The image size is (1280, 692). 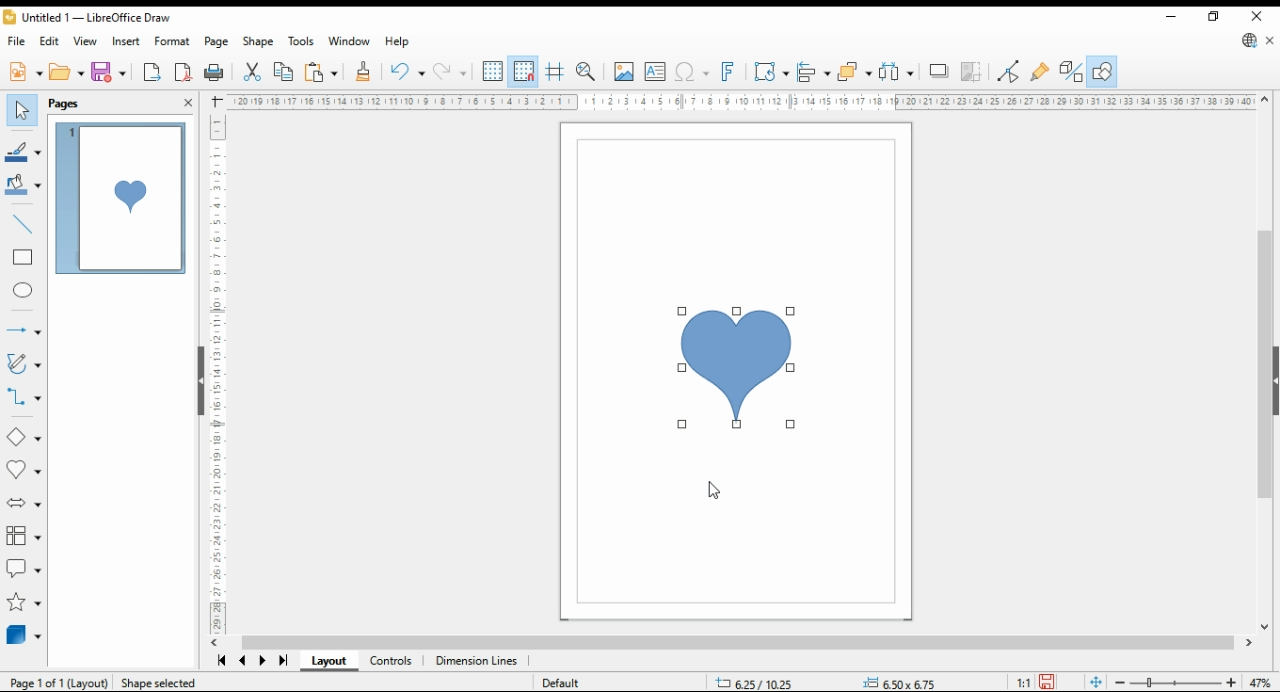 I want to click on mouse pointer, so click(x=686, y=309).